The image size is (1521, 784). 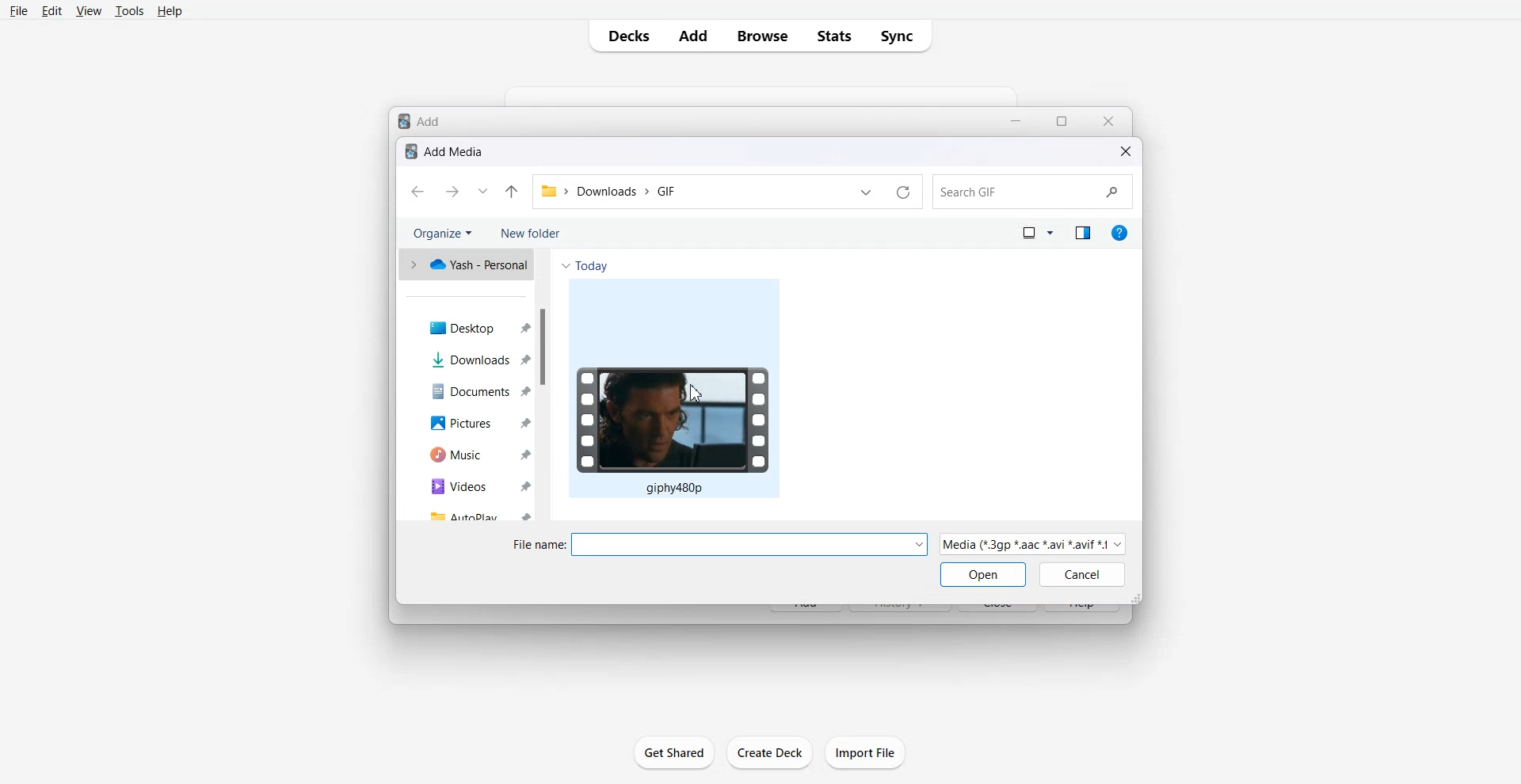 I want to click on File>Downloads>GIF, so click(x=612, y=192).